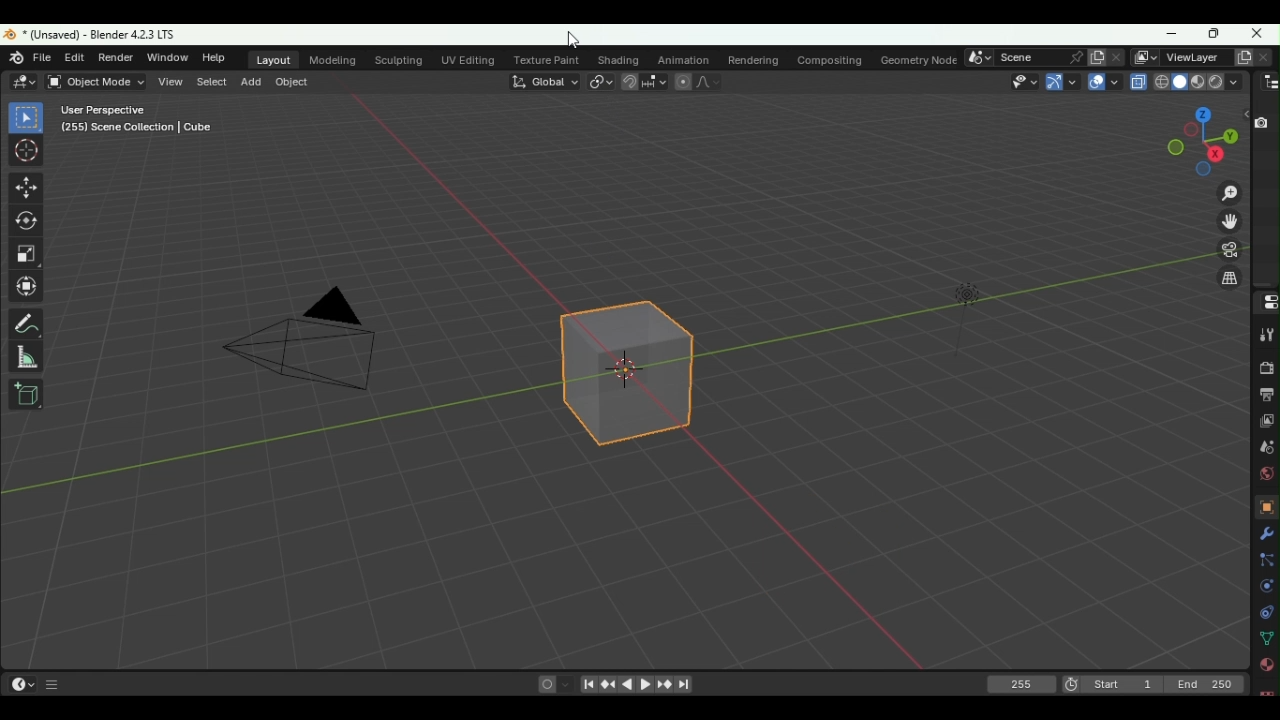 The height and width of the screenshot is (720, 1280). I want to click on Rotate the view, so click(1216, 154).